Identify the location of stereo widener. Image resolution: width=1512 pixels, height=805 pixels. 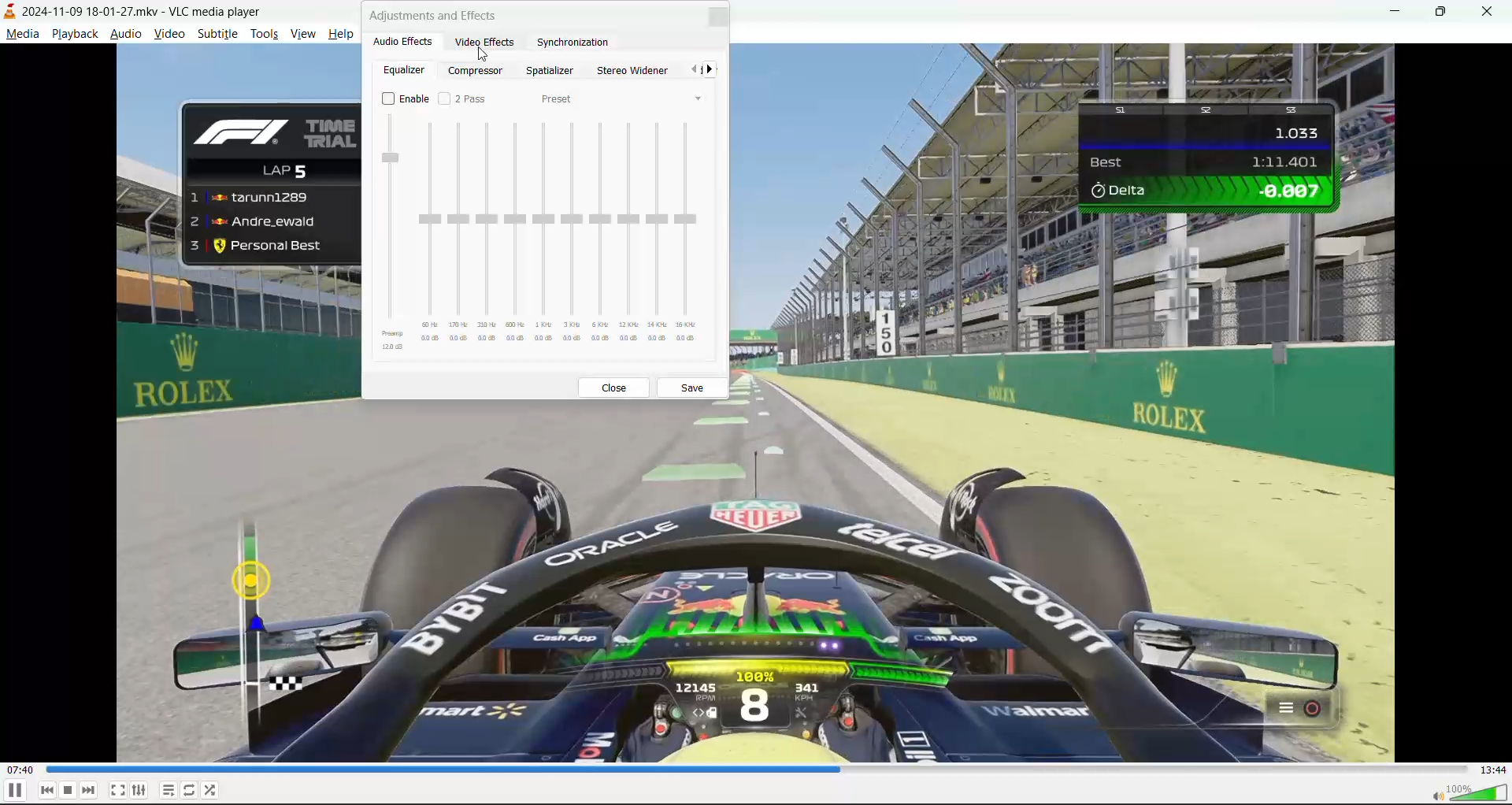
(630, 71).